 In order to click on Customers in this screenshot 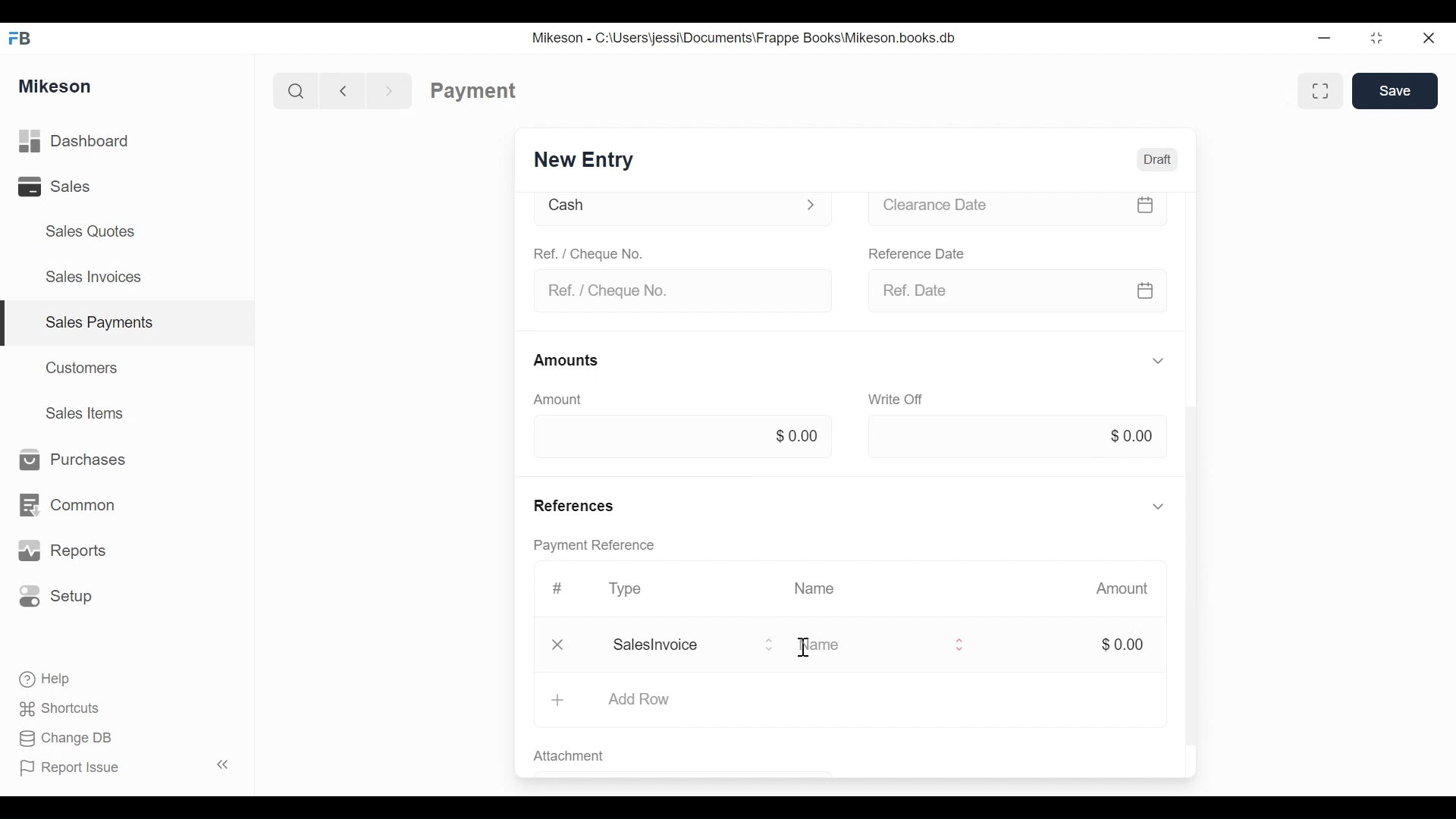, I will do `click(86, 366)`.